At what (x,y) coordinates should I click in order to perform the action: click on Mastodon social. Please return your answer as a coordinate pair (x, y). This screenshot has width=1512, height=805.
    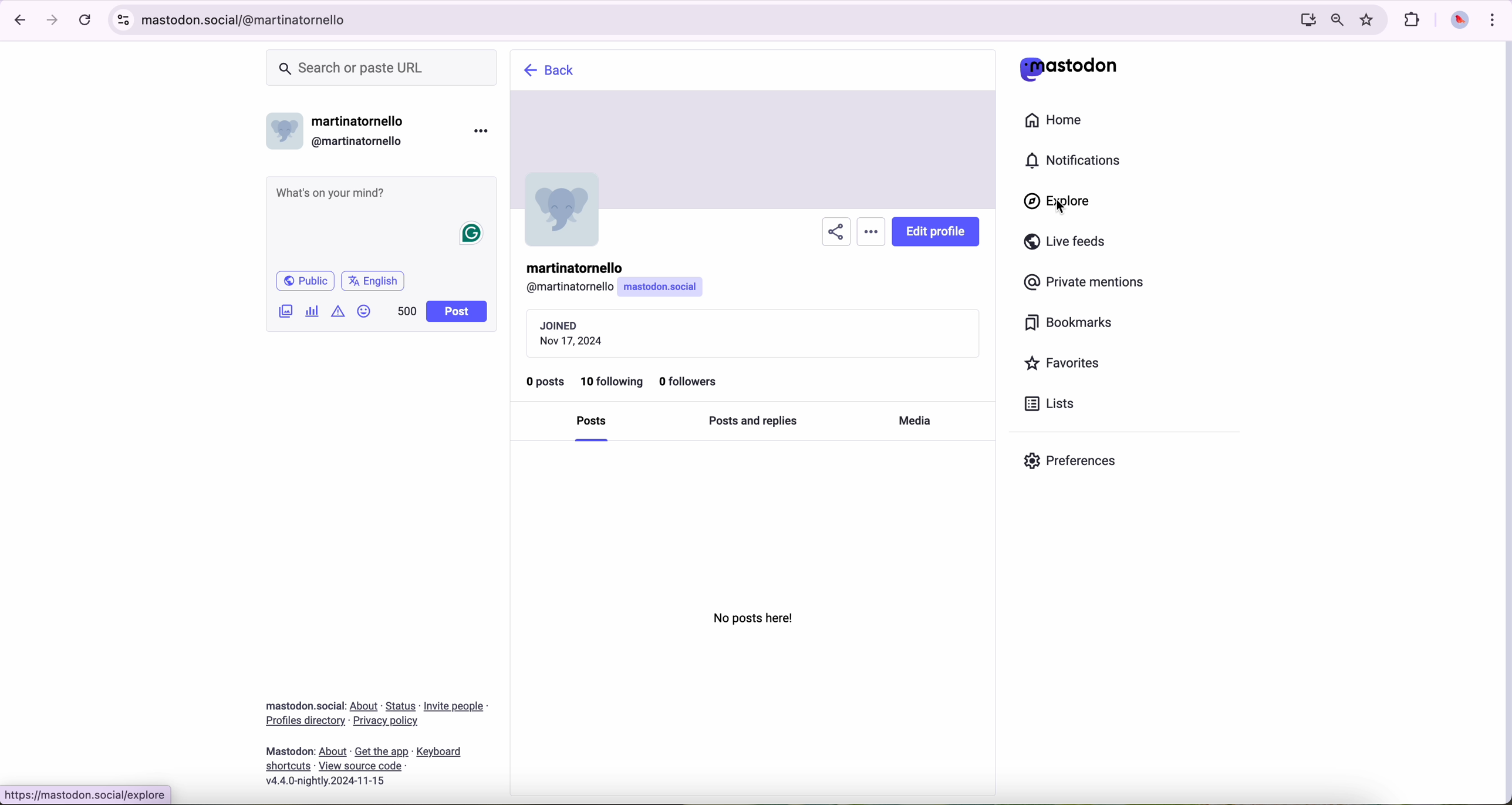
    Looking at the image, I should click on (302, 706).